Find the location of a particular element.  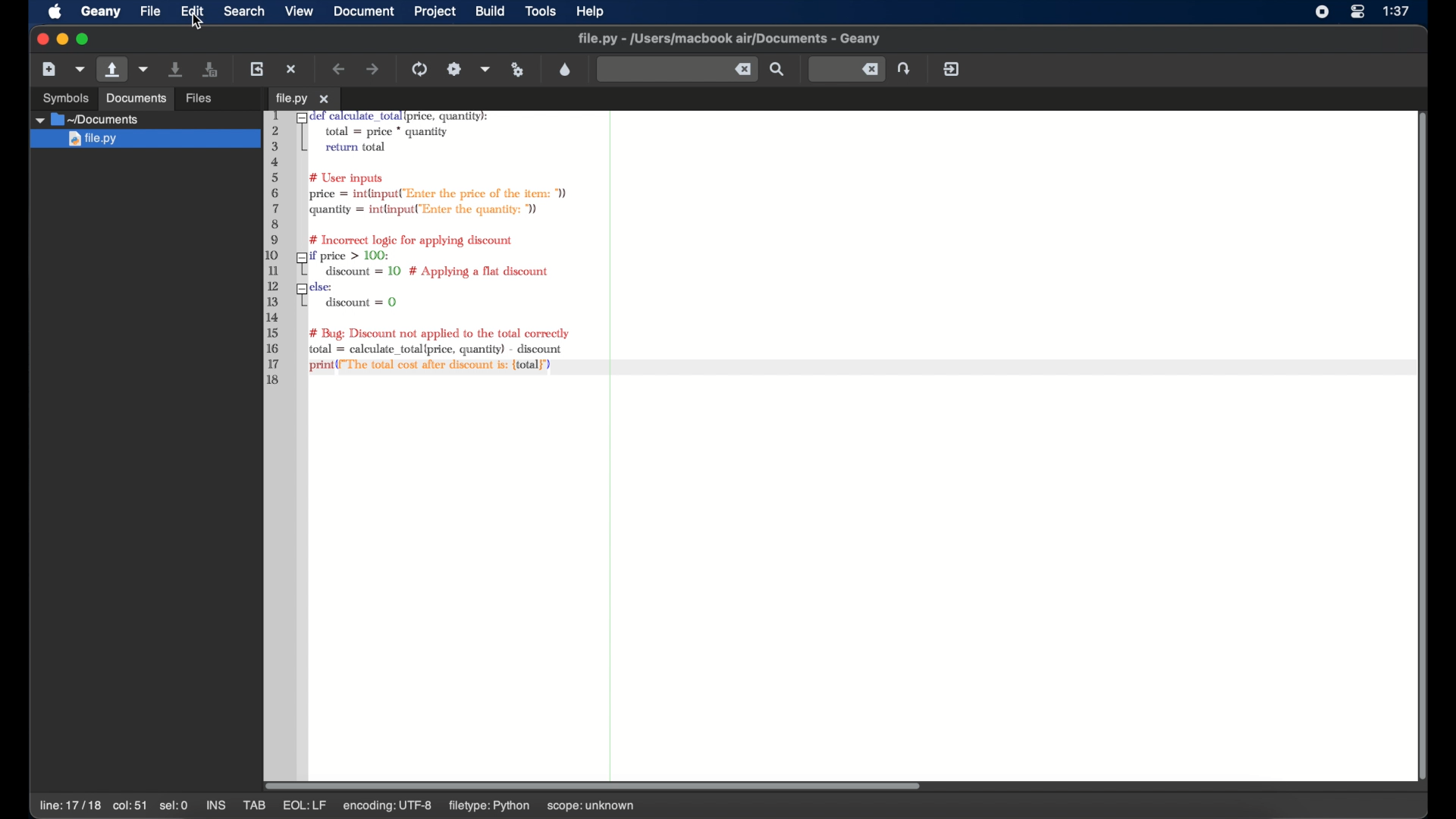

open file is located at coordinates (111, 70).